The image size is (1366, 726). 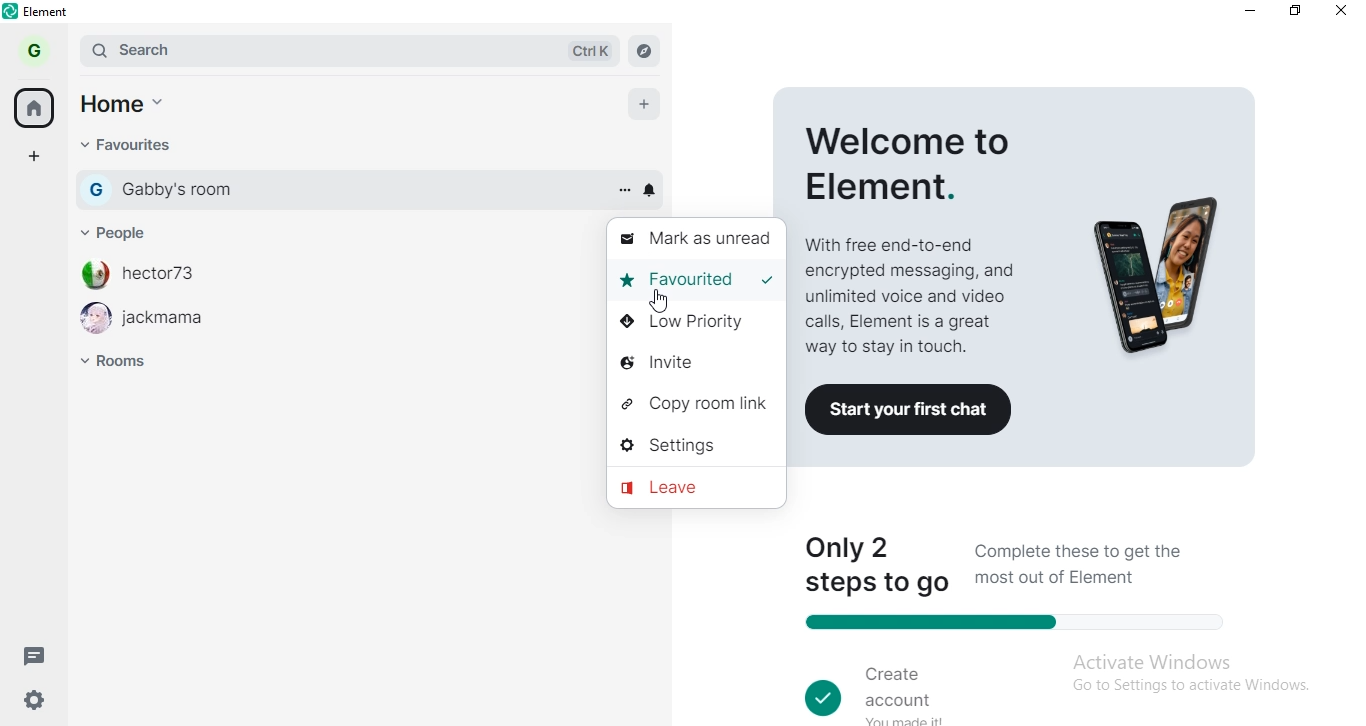 I want to click on settings, so click(x=691, y=448).